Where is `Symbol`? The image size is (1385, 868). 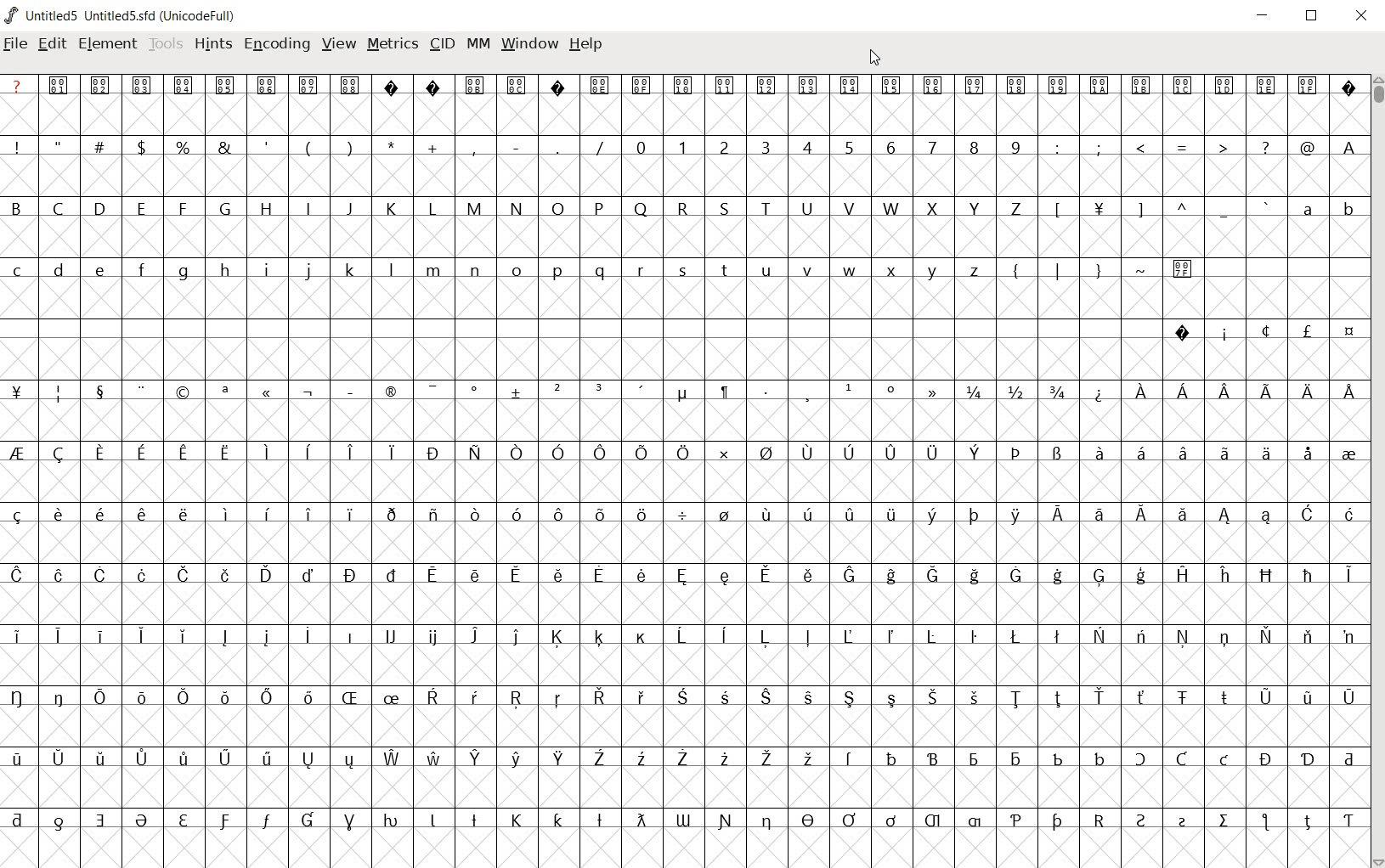 Symbol is located at coordinates (723, 515).